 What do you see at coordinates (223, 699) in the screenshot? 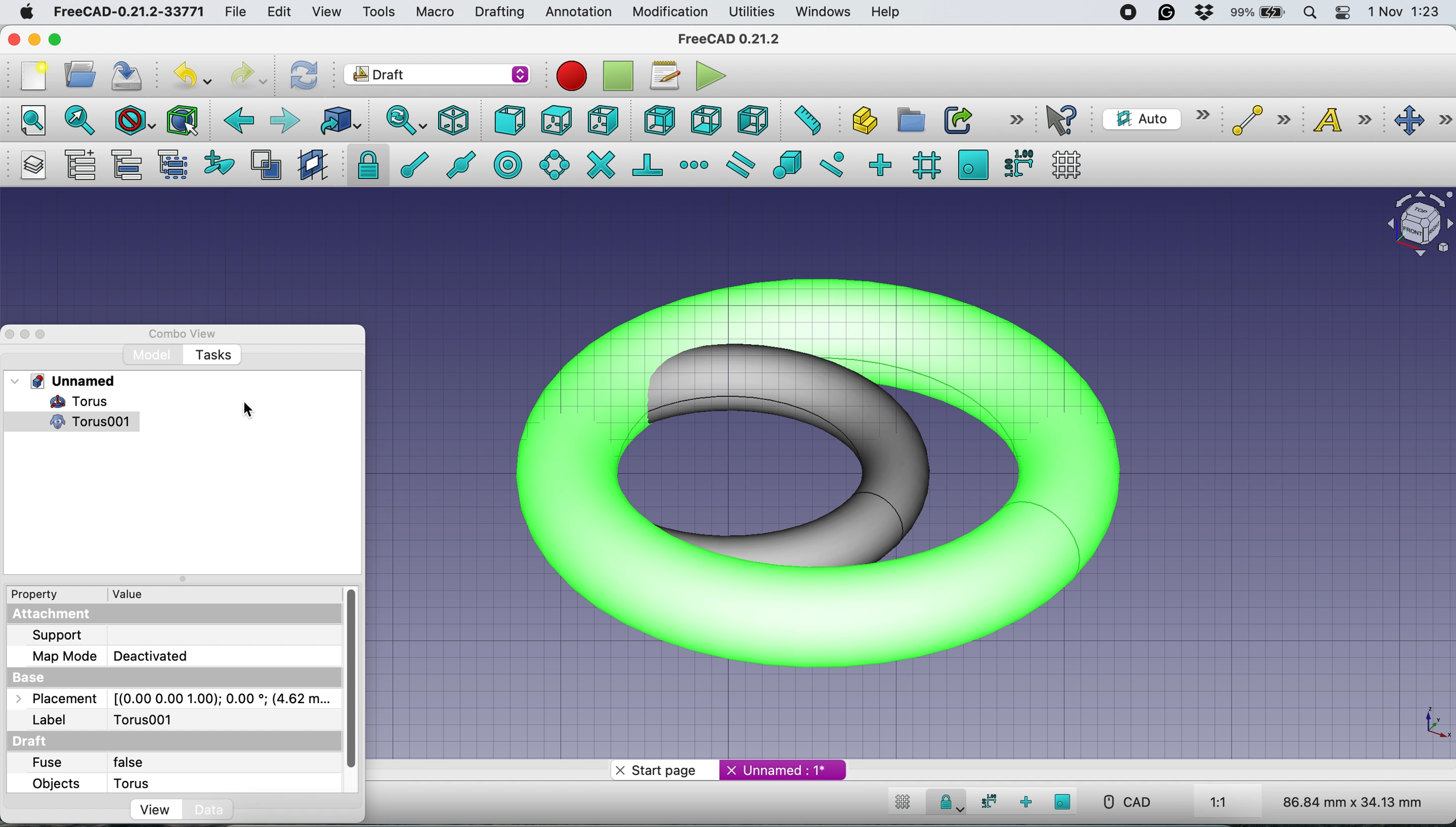
I see `Axis, Angle, Position` at bounding box center [223, 699].